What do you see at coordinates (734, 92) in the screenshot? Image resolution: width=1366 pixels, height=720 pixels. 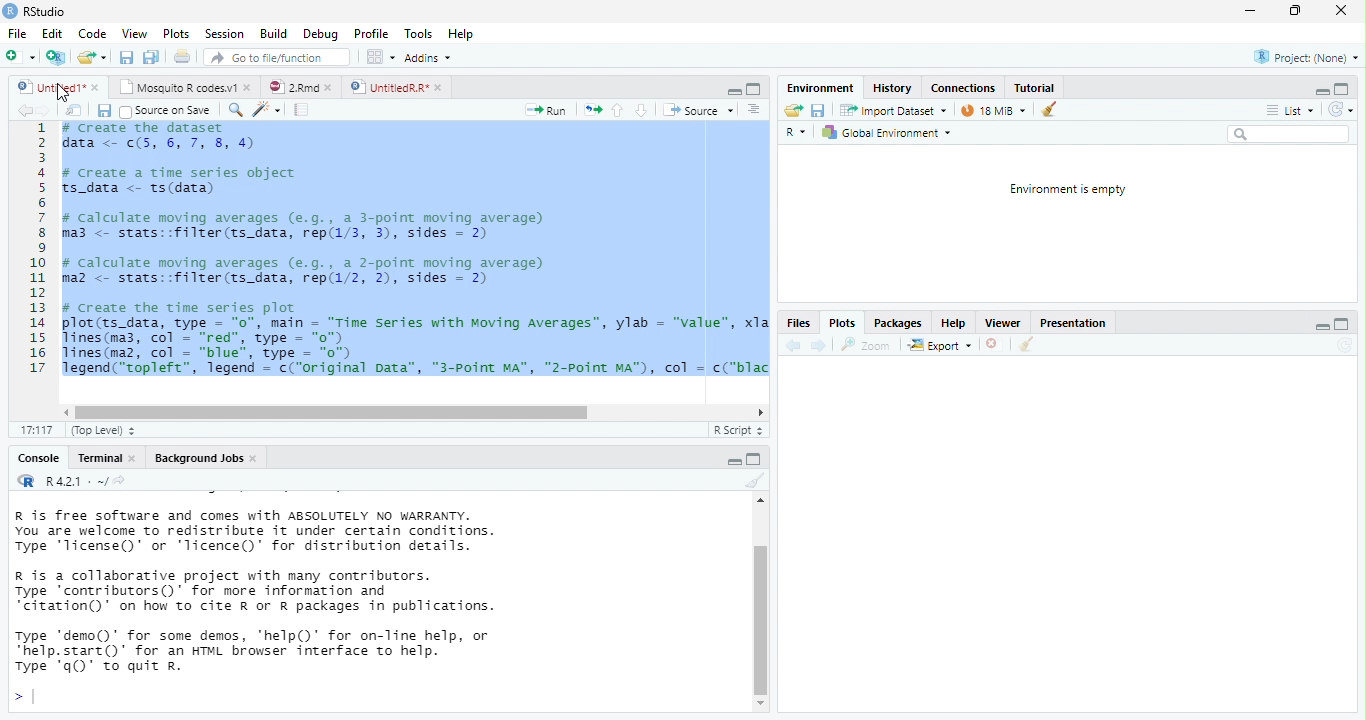 I see `minimize` at bounding box center [734, 92].